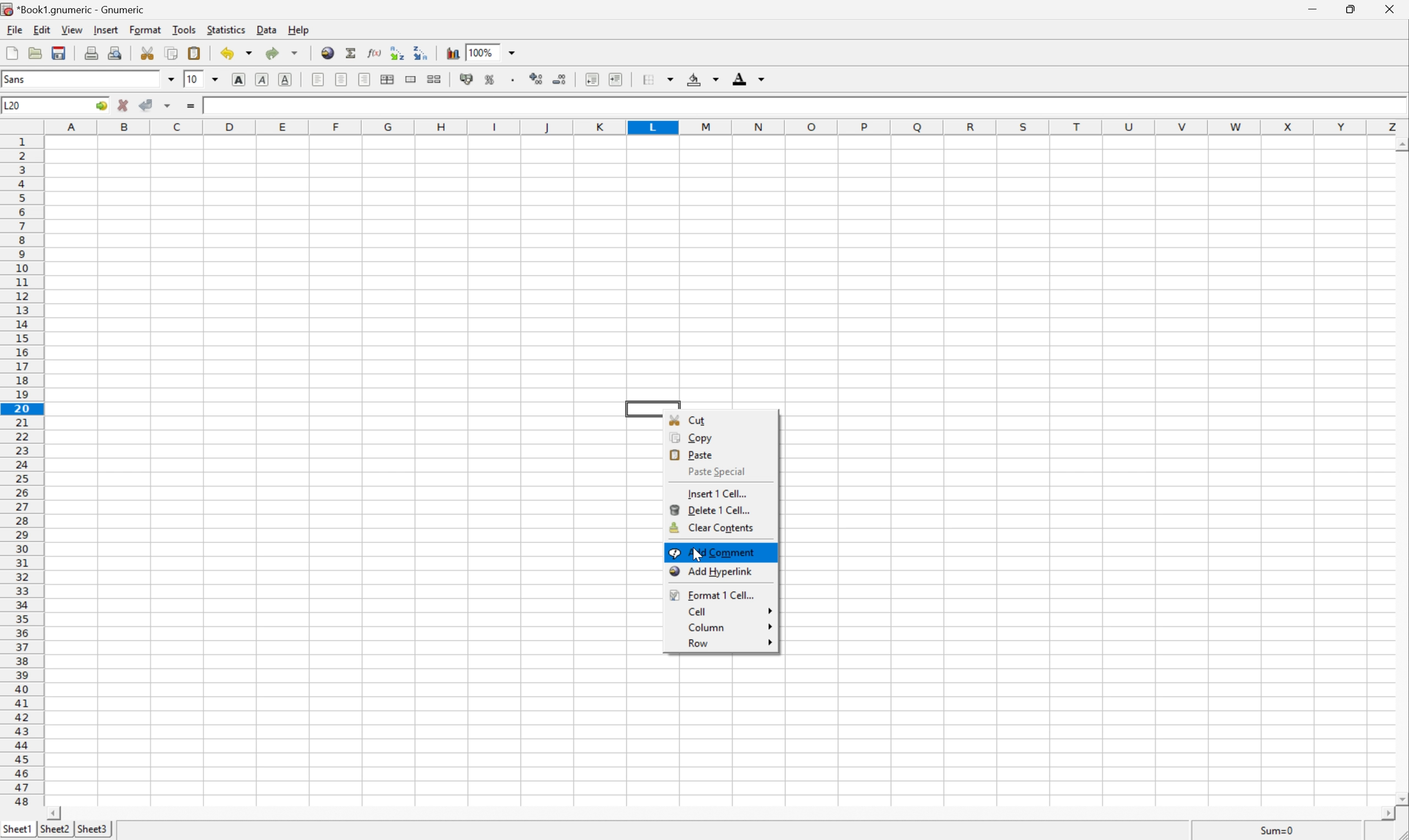 This screenshot has height=840, width=1409. What do you see at coordinates (749, 78) in the screenshot?
I see `Foreground` at bounding box center [749, 78].